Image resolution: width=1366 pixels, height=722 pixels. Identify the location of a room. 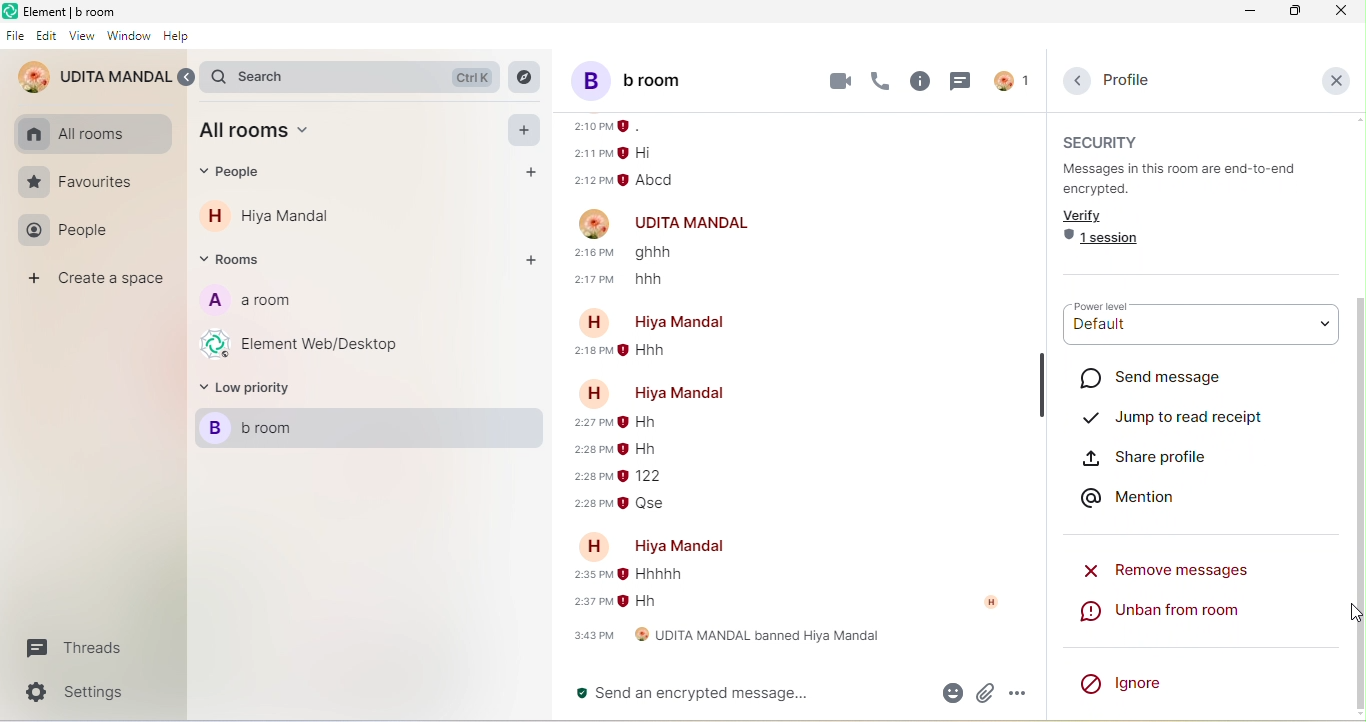
(247, 303).